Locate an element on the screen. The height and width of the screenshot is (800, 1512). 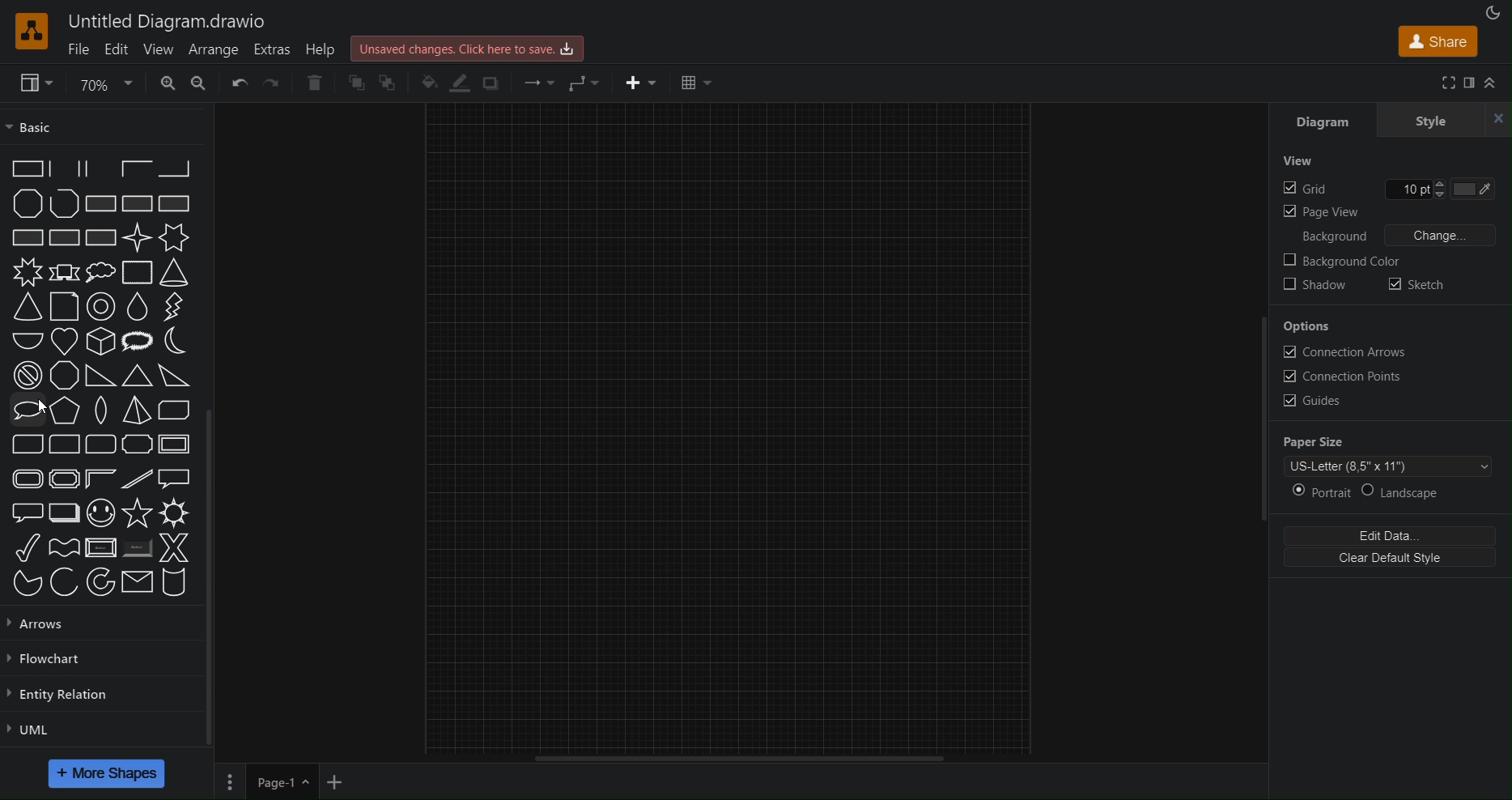
Bring to Back is located at coordinates (389, 83).